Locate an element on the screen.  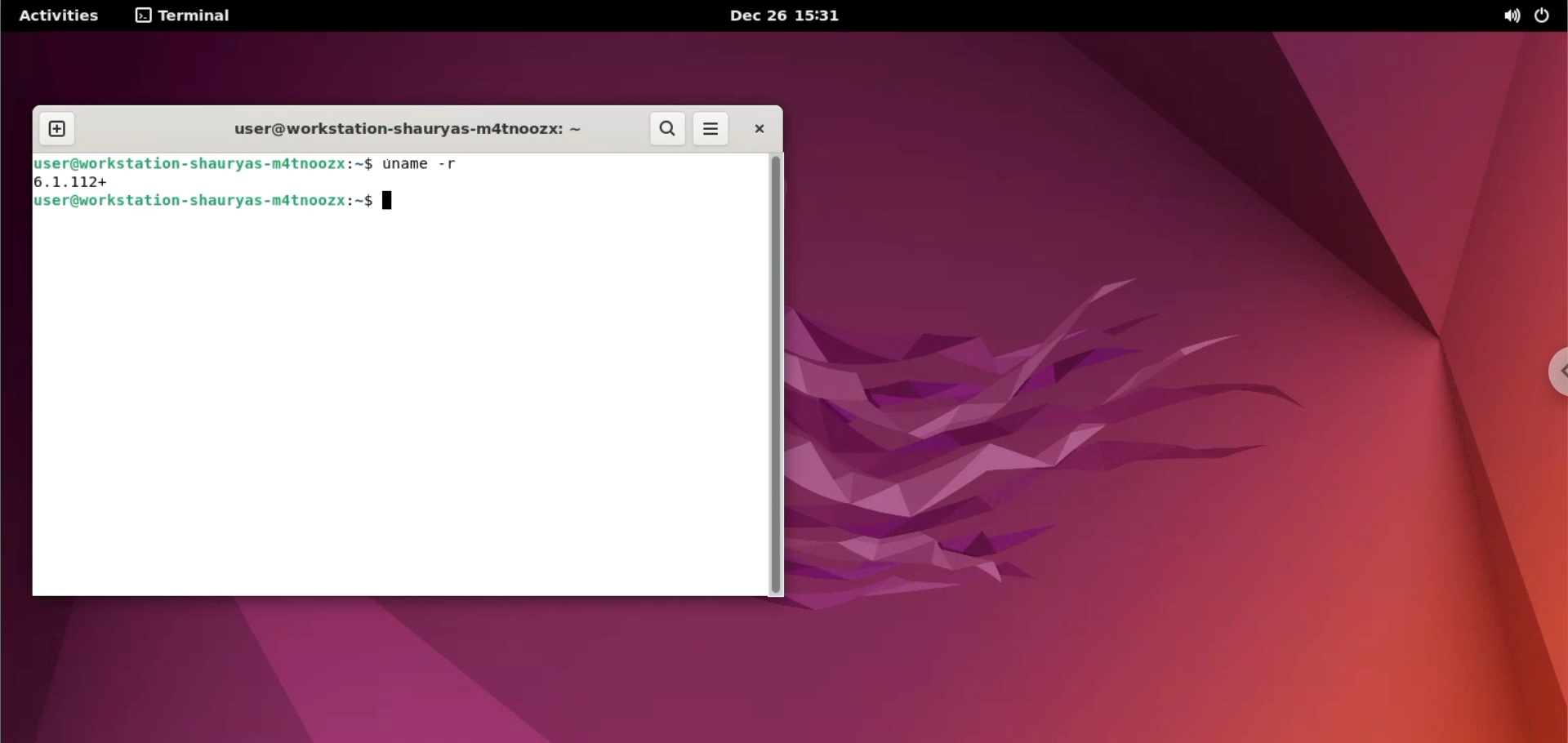
more options is located at coordinates (712, 130).